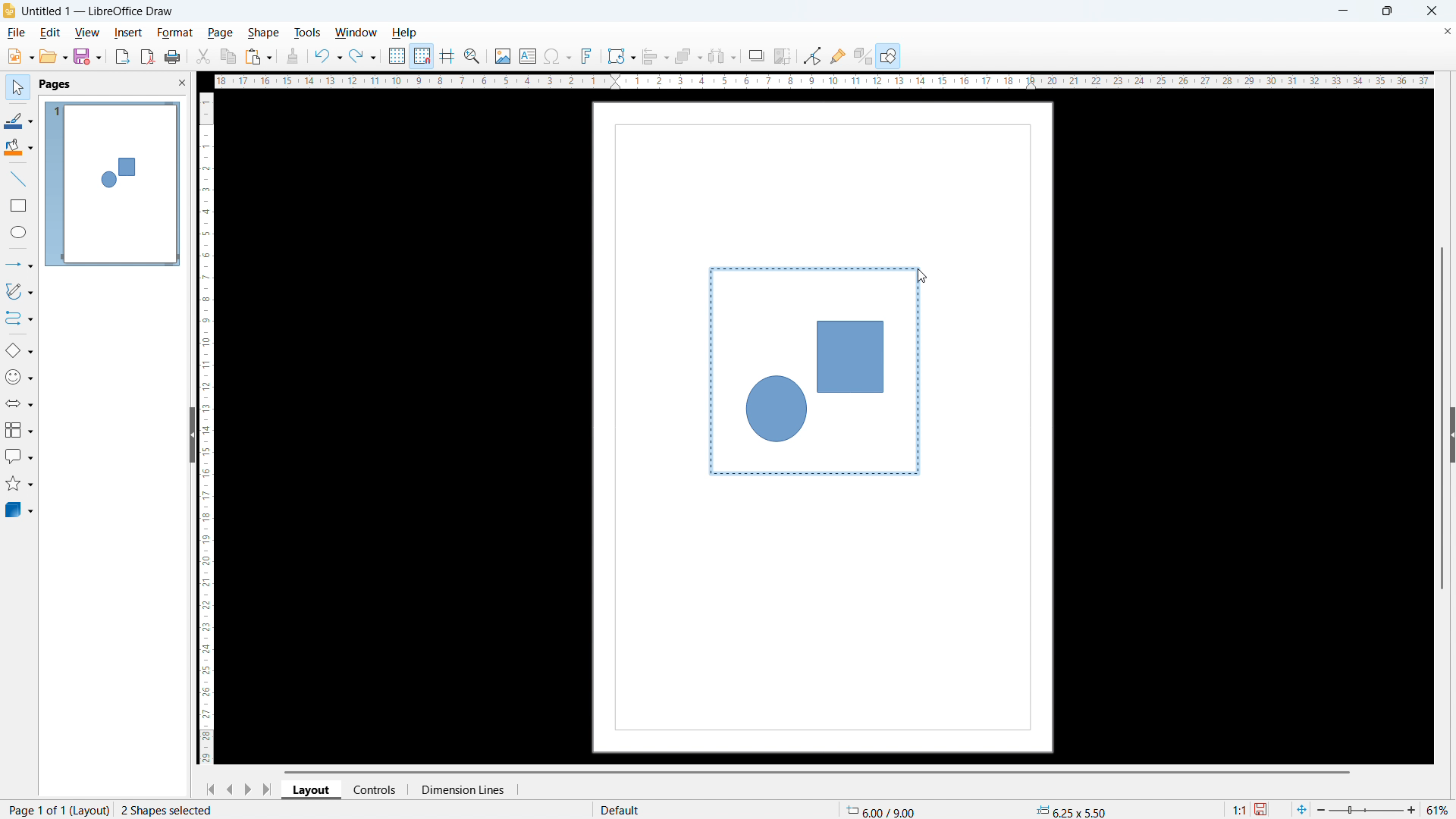 The image size is (1456, 819). I want to click on shapes being selected together, so click(812, 372).